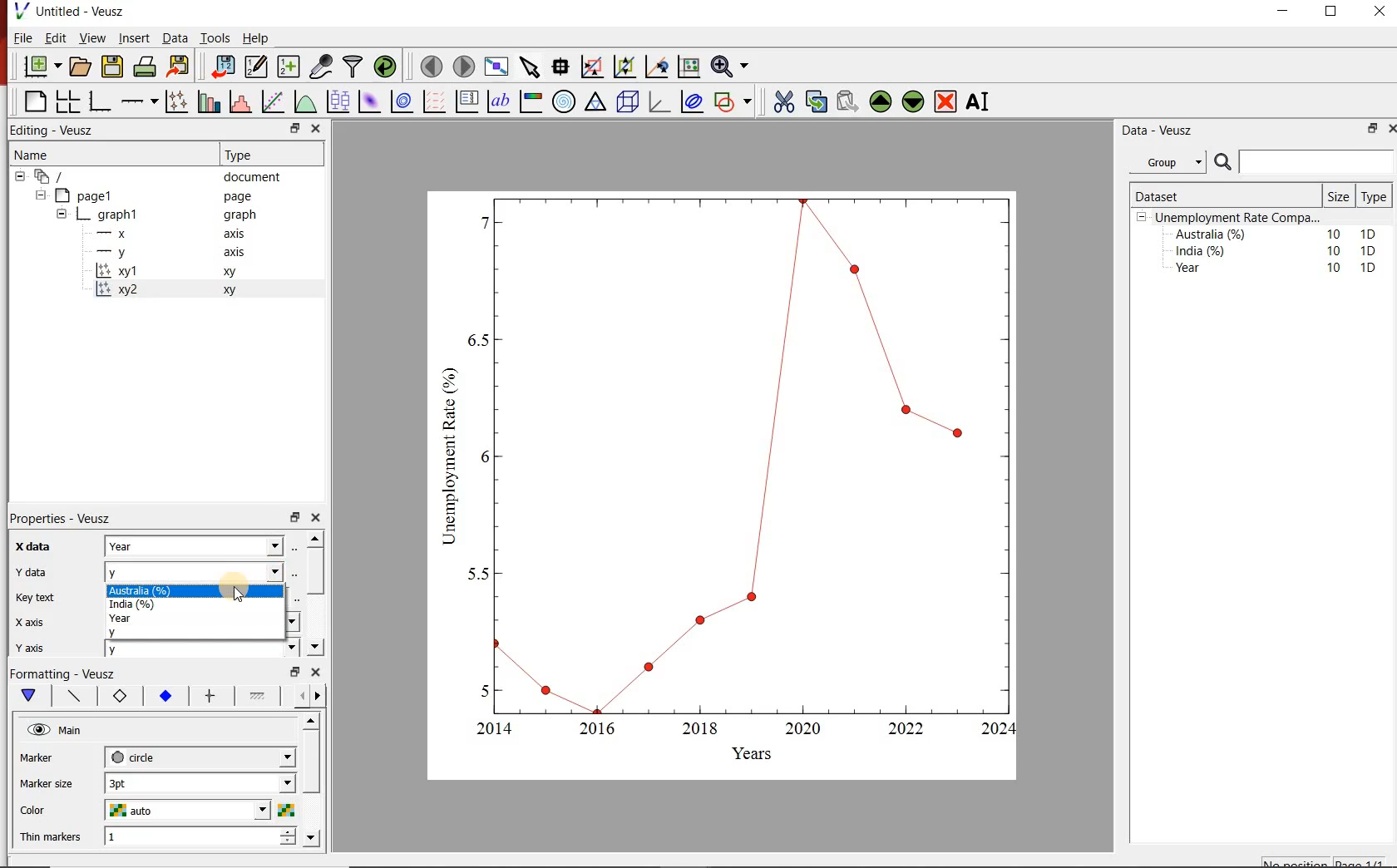  I want to click on circle, so click(198, 755).